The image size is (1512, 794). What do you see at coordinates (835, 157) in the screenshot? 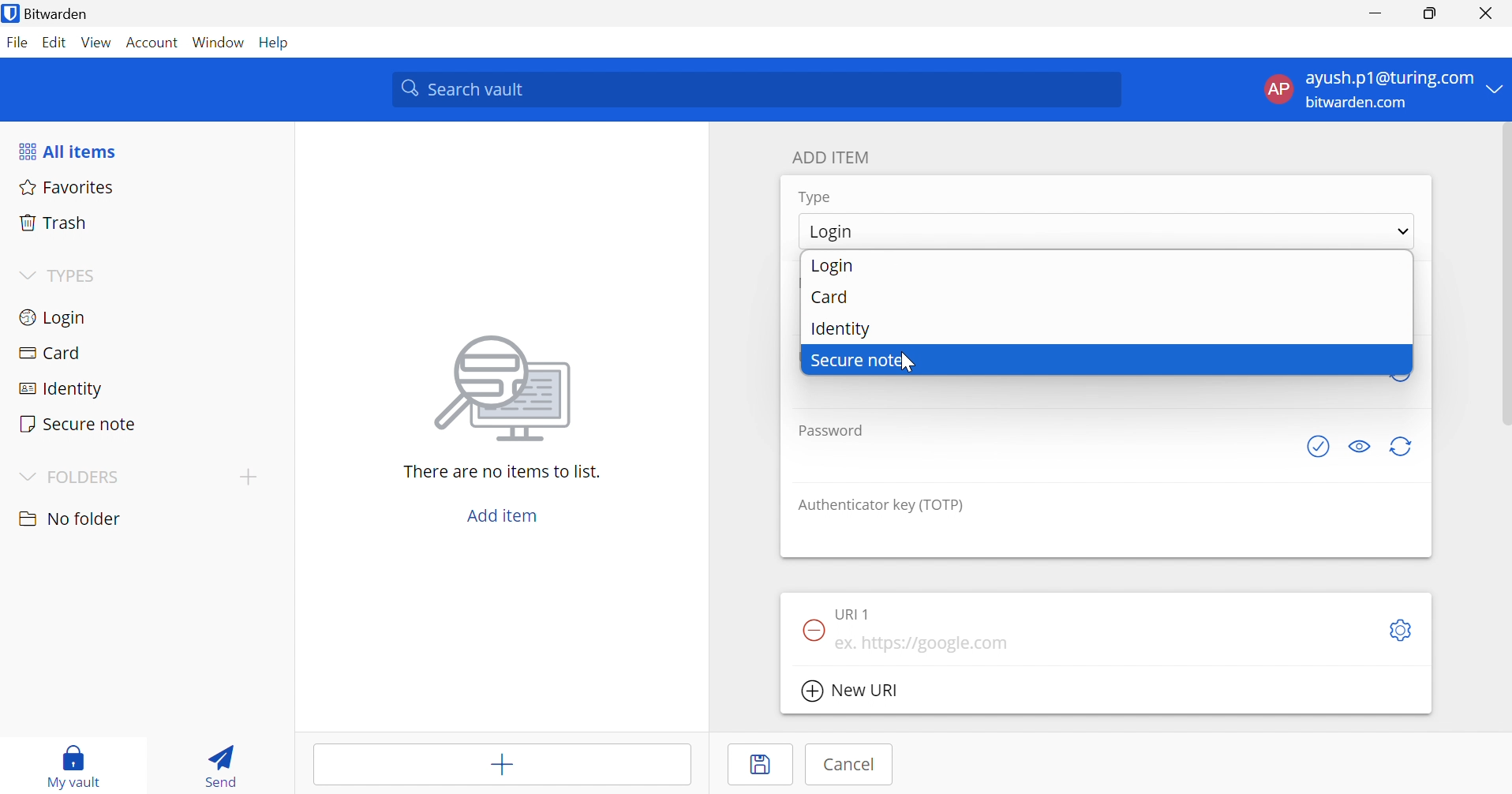
I see `ADDITEM` at bounding box center [835, 157].